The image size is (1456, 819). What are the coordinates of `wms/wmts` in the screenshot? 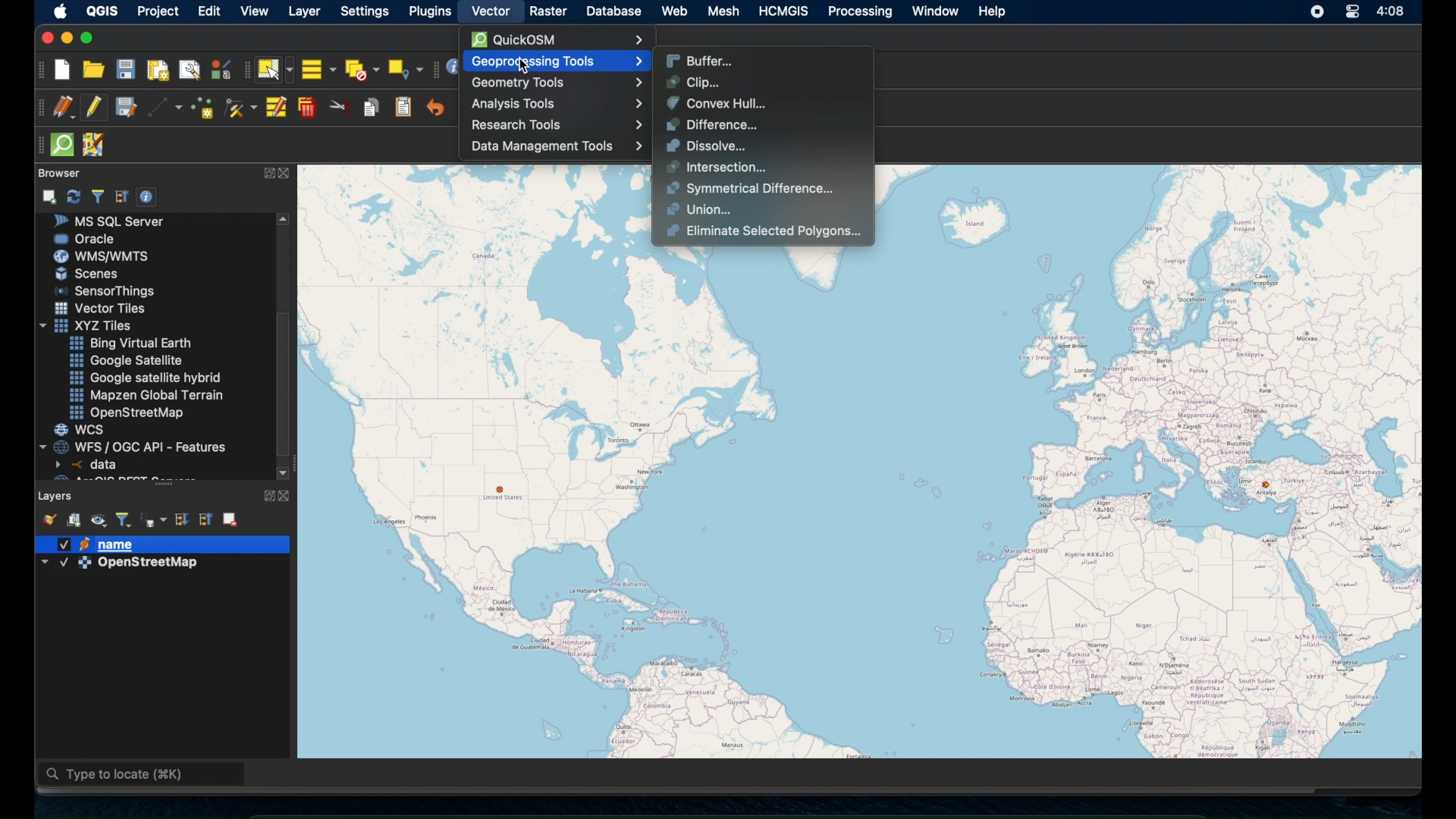 It's located at (101, 256).